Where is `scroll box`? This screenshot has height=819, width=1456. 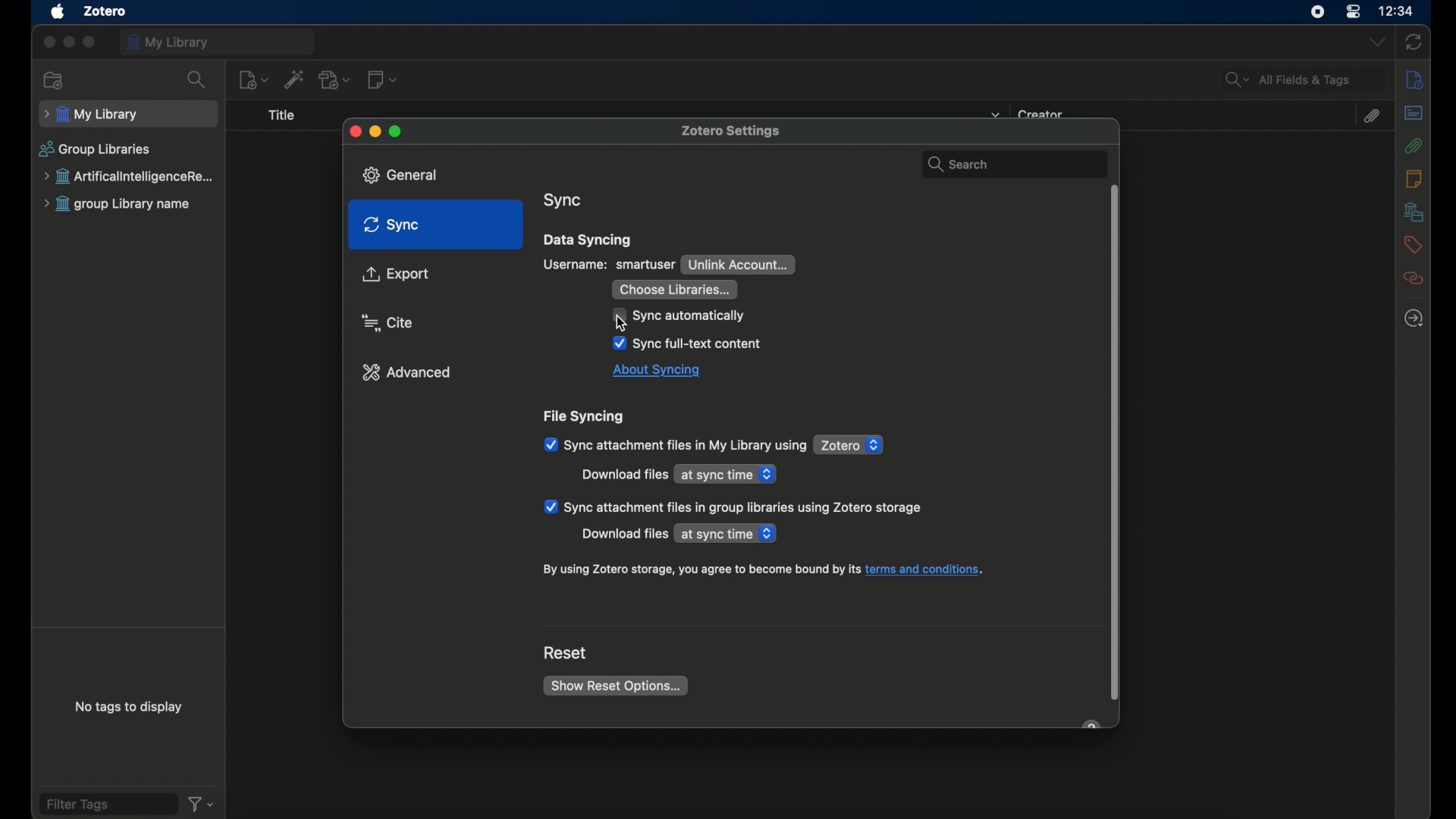
scroll box is located at coordinates (1115, 444).